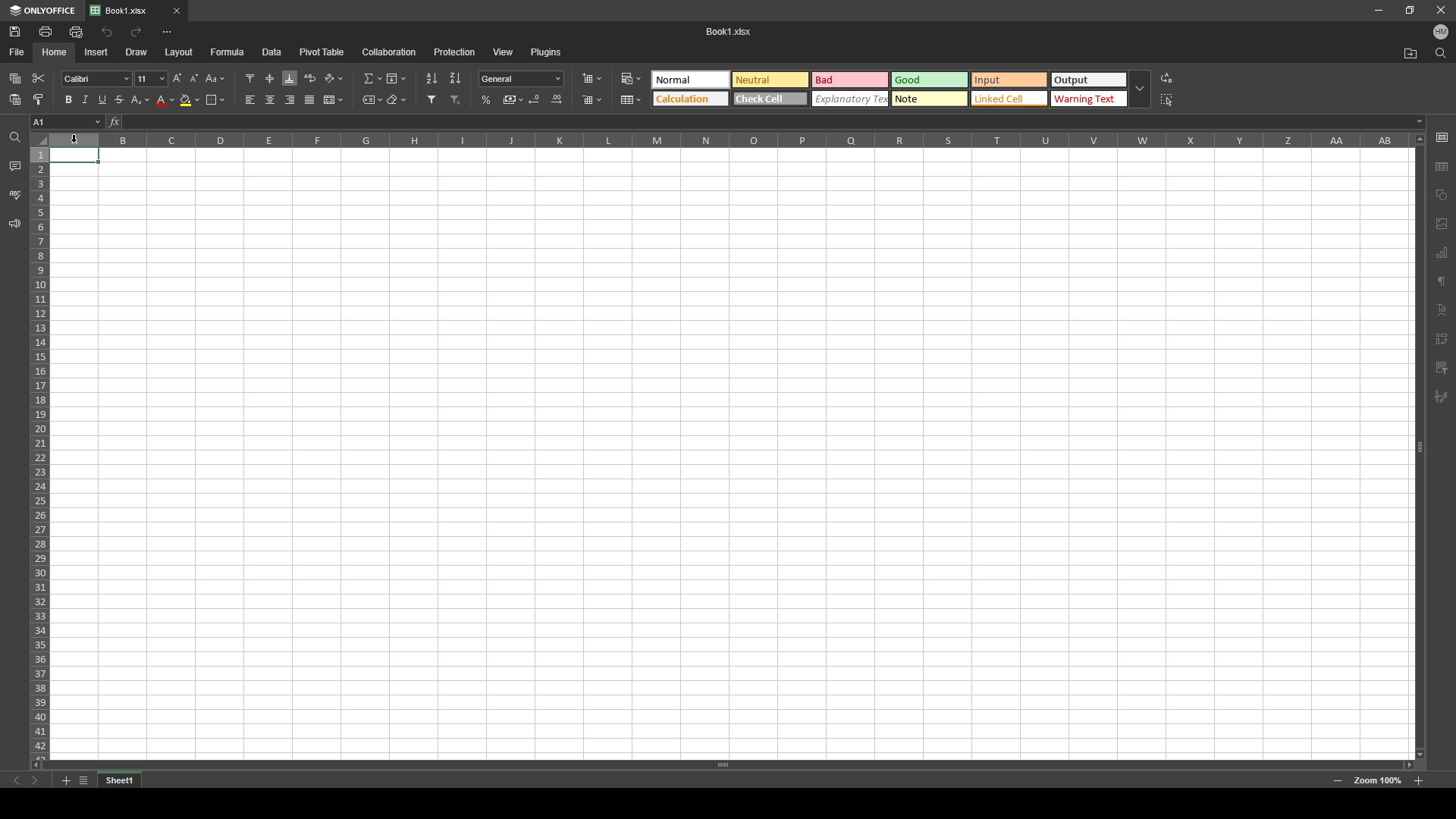 The image size is (1456, 819). I want to click on strikethrough, so click(120, 100).